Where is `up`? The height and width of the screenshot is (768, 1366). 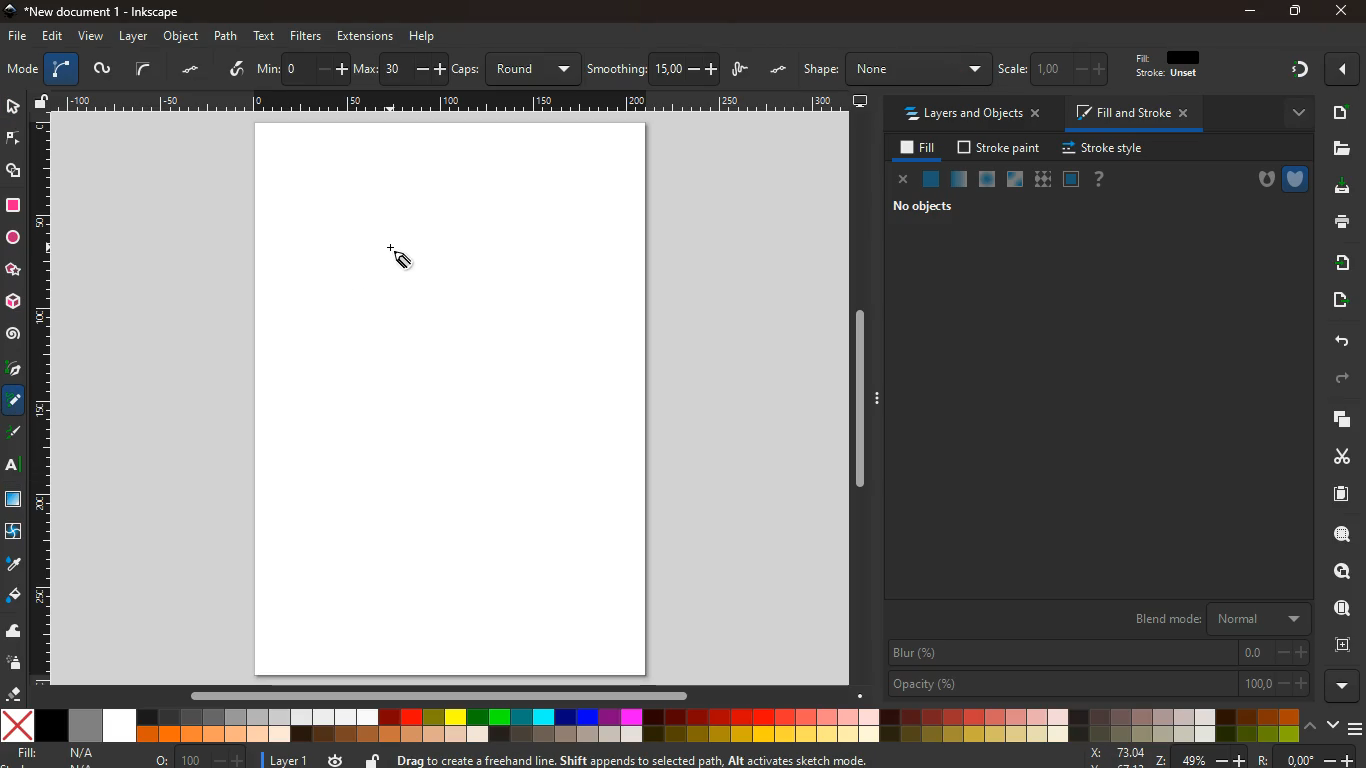 up is located at coordinates (1312, 724).